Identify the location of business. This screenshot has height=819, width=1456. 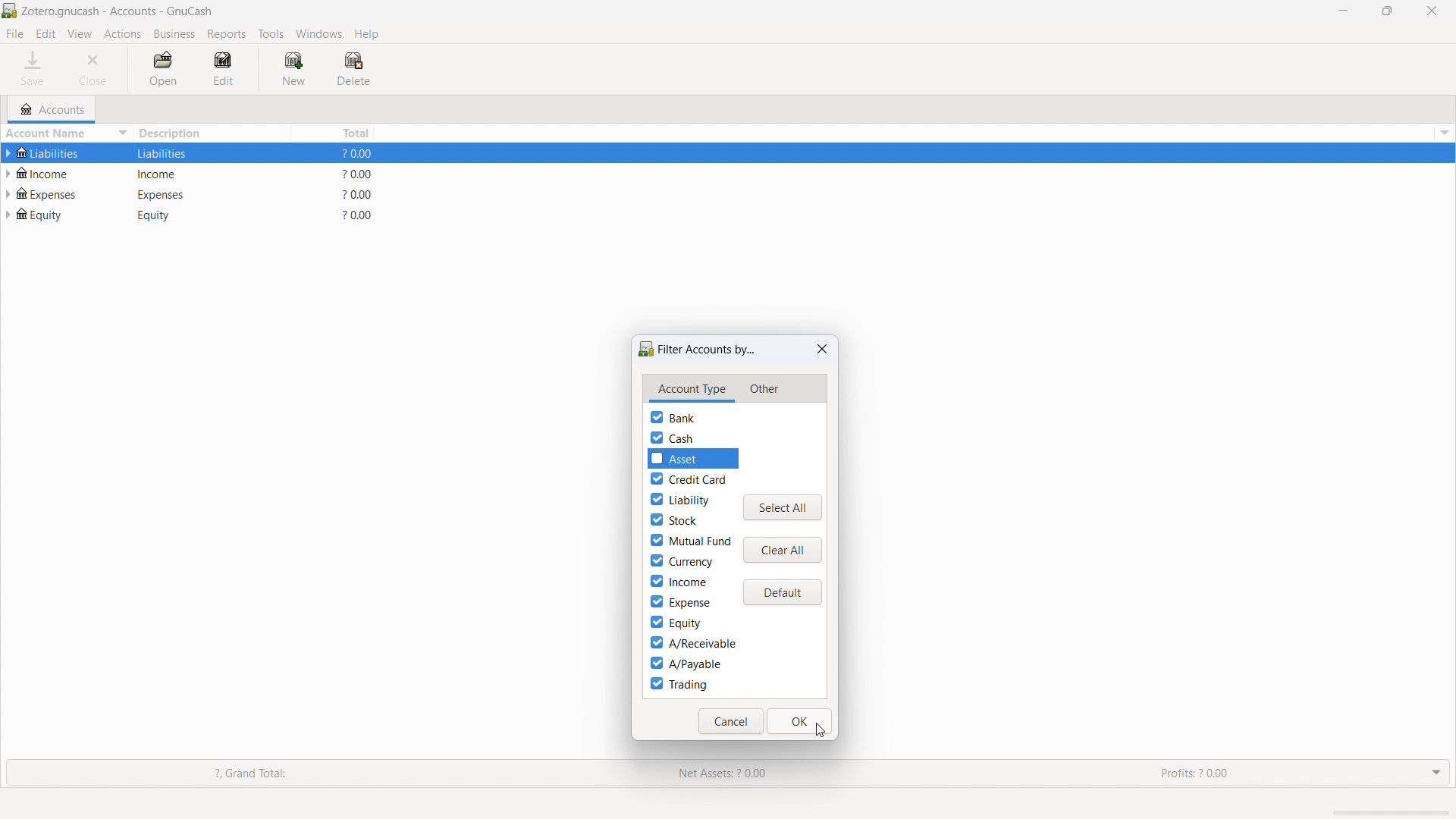
(175, 34).